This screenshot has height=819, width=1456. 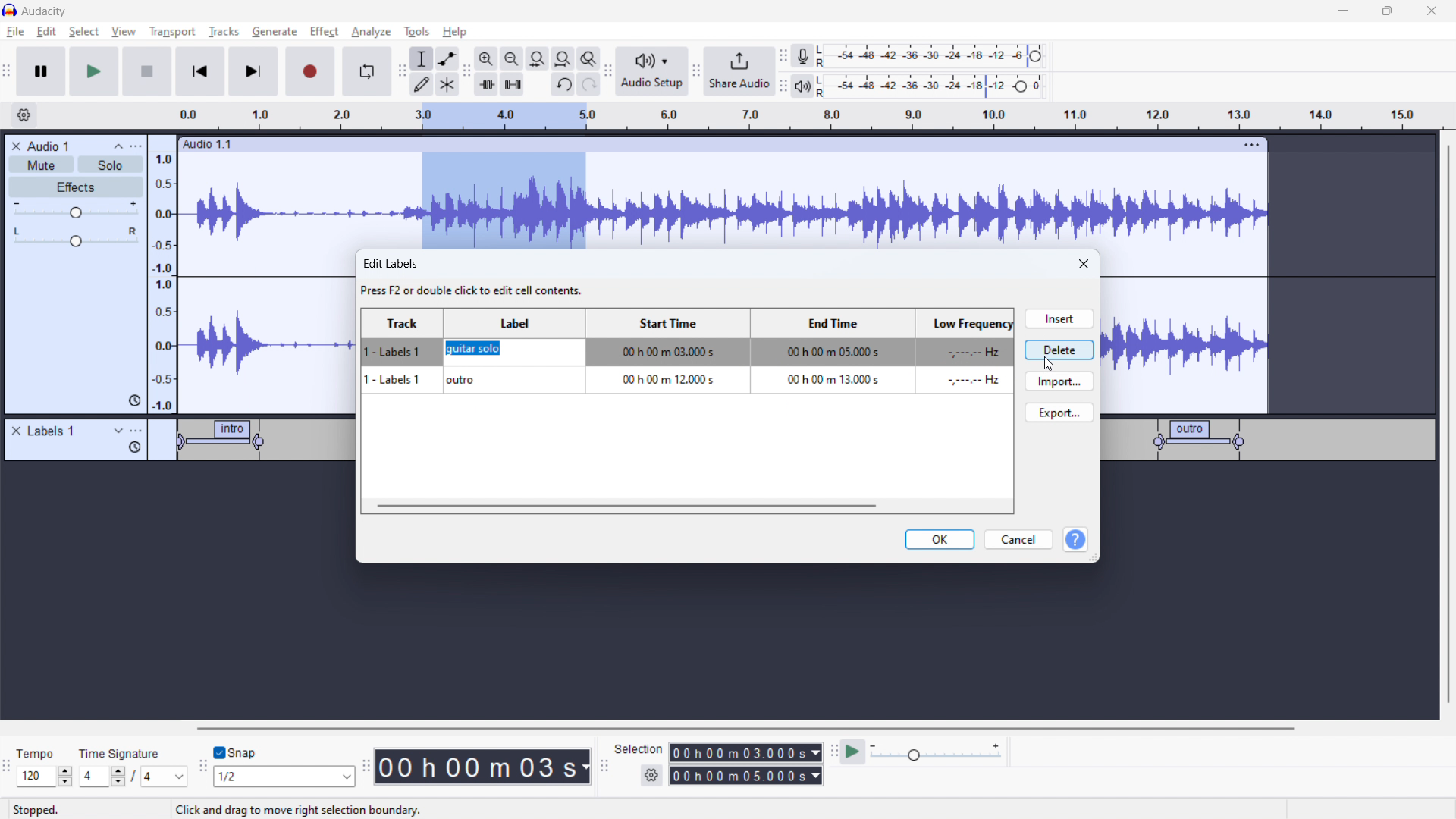 What do you see at coordinates (483, 765) in the screenshot?
I see `timestamp` at bounding box center [483, 765].